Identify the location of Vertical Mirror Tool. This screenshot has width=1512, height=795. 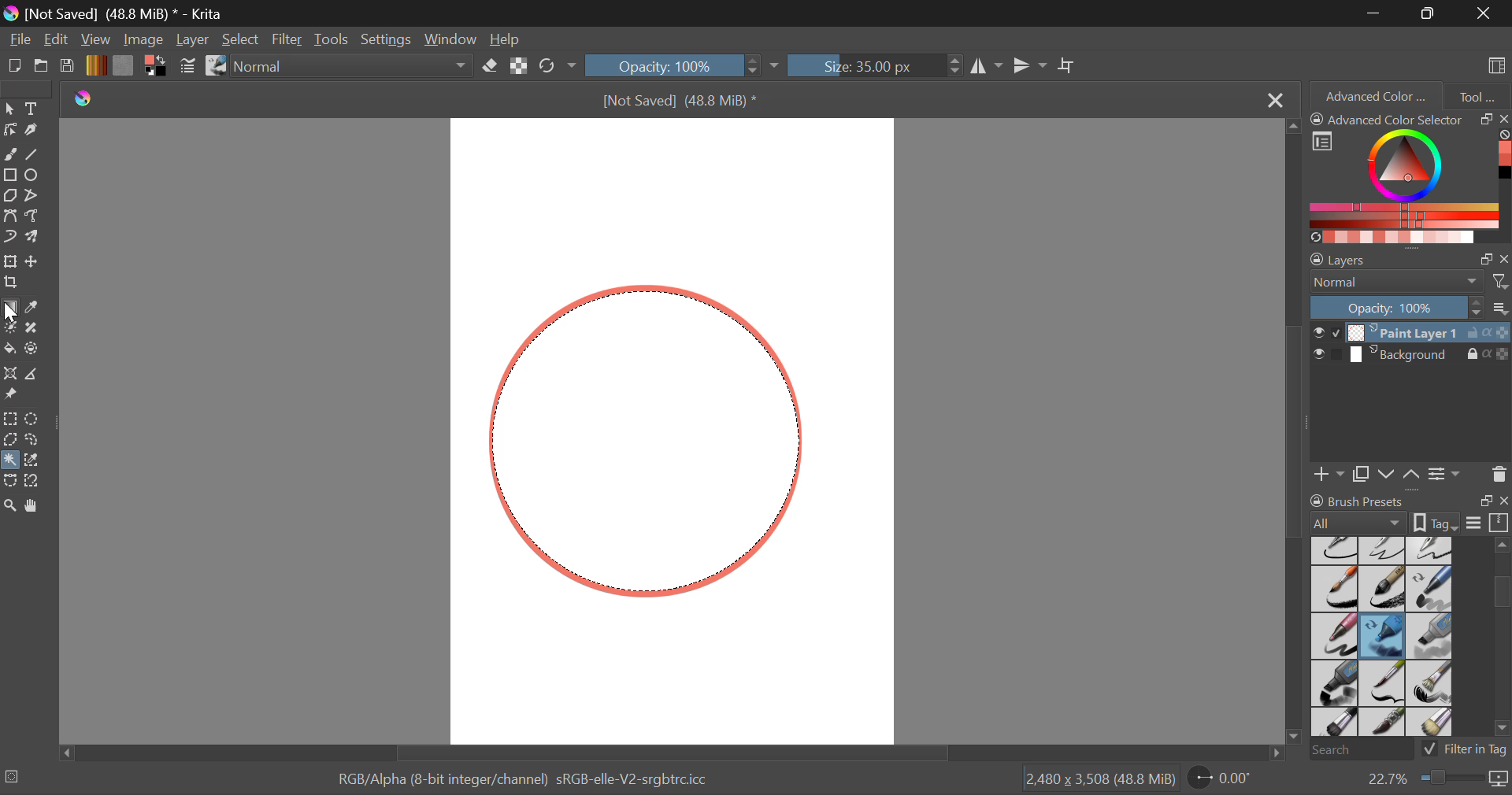
(1029, 66).